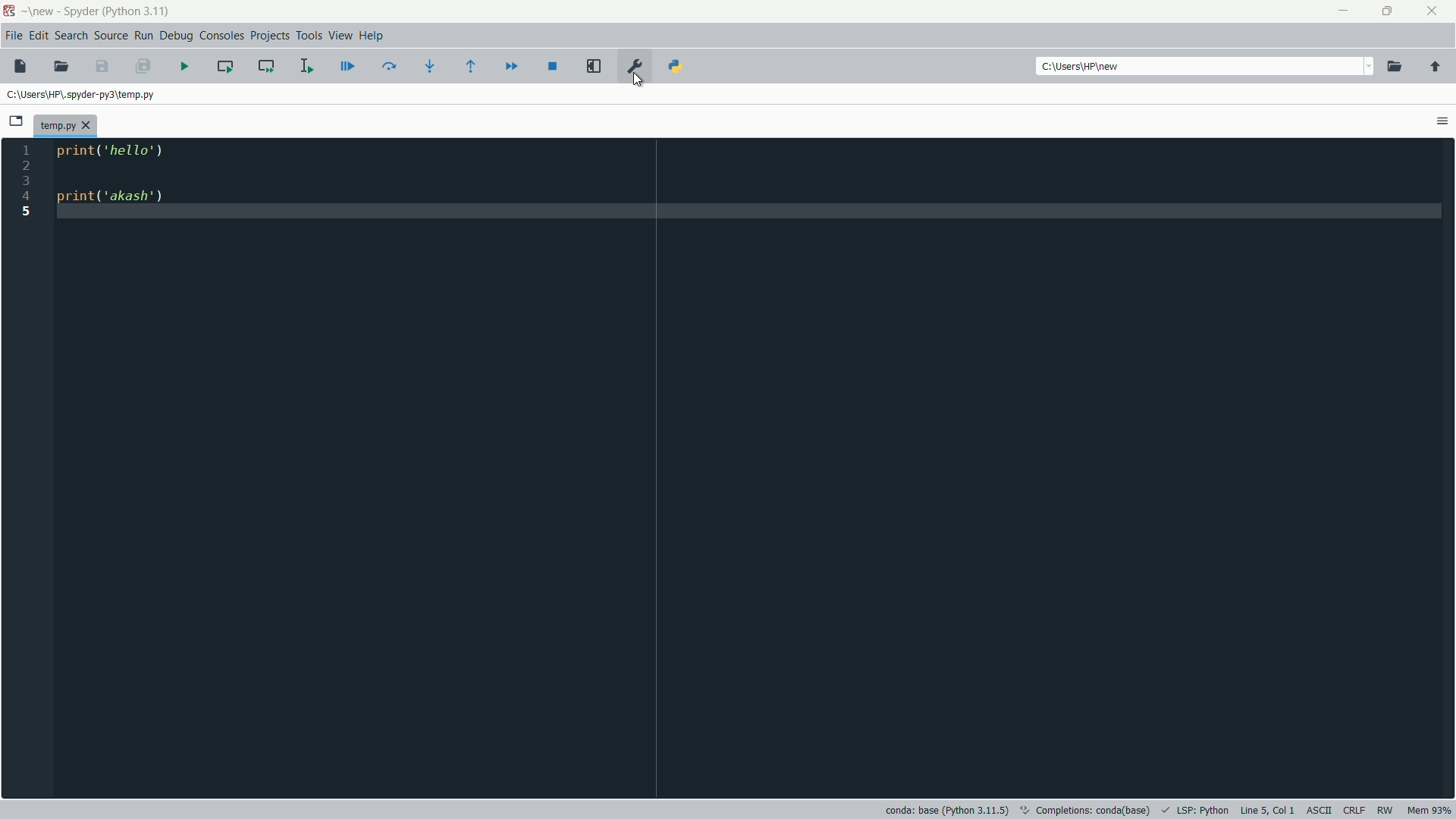 The image size is (1456, 819). I want to click on cursor position, so click(1267, 810).